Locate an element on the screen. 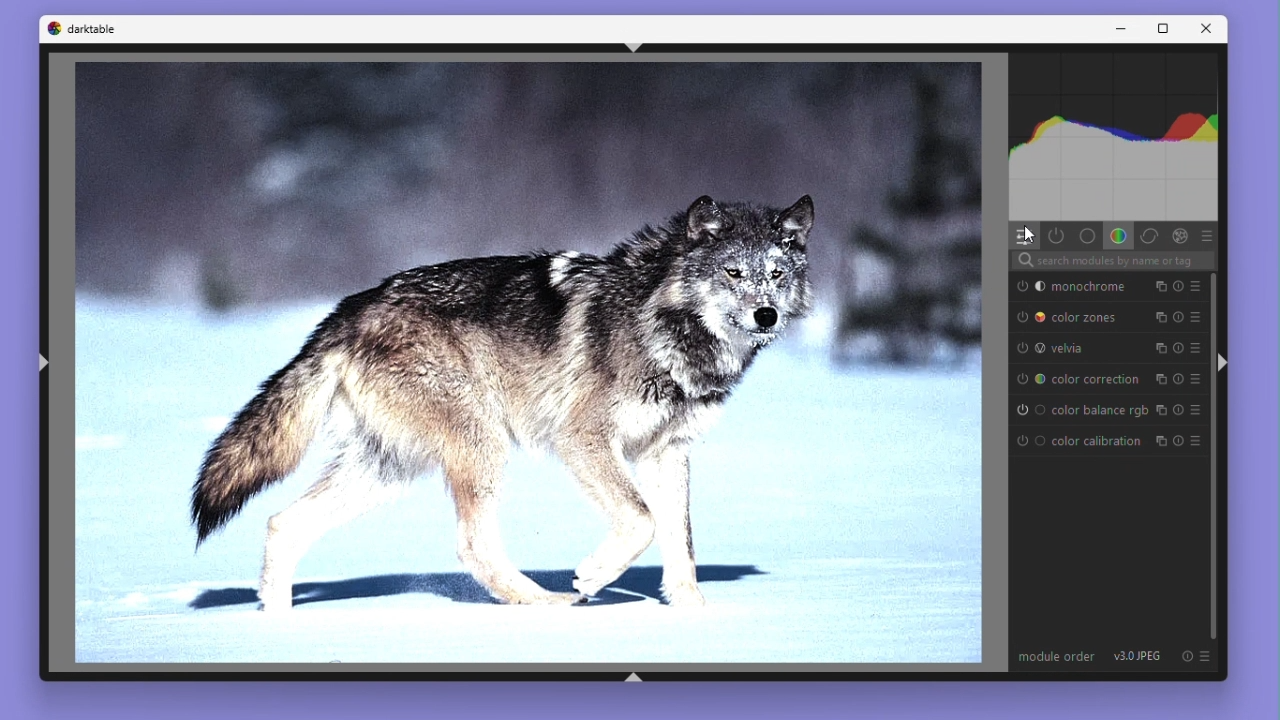 This screenshot has height=720, width=1280. quick access is located at coordinates (1024, 237).